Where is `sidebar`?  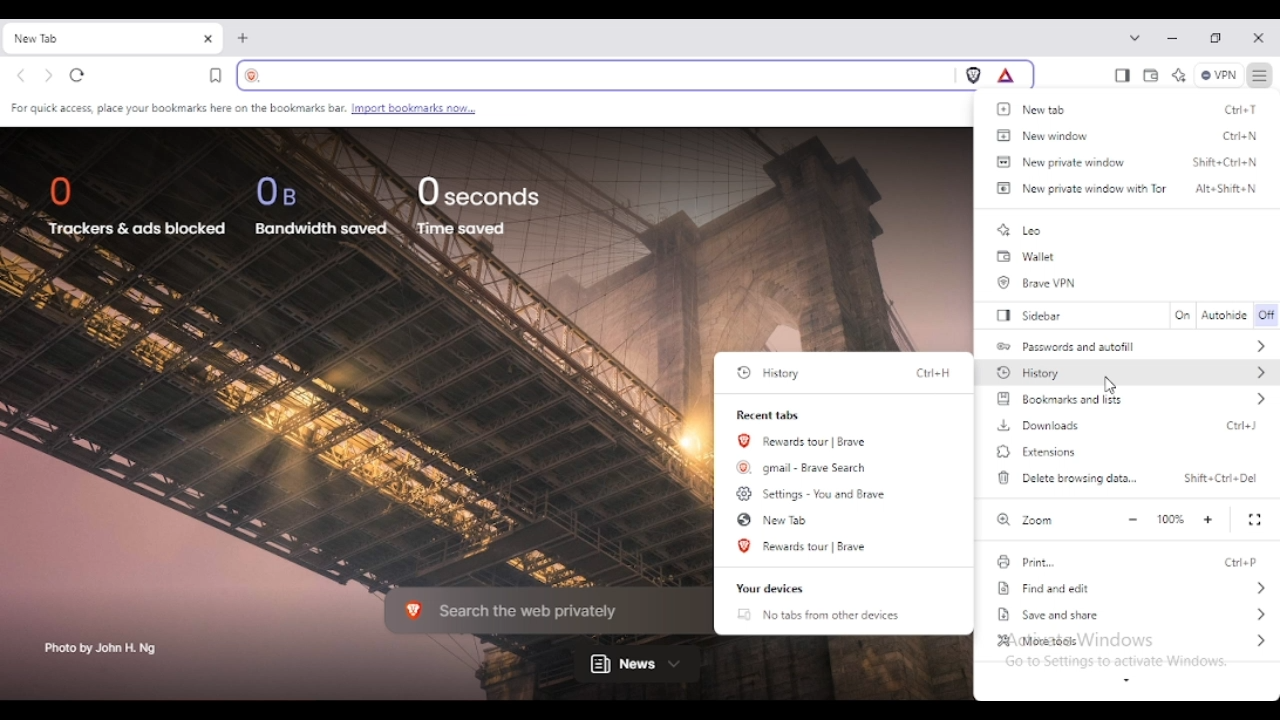
sidebar is located at coordinates (1034, 315).